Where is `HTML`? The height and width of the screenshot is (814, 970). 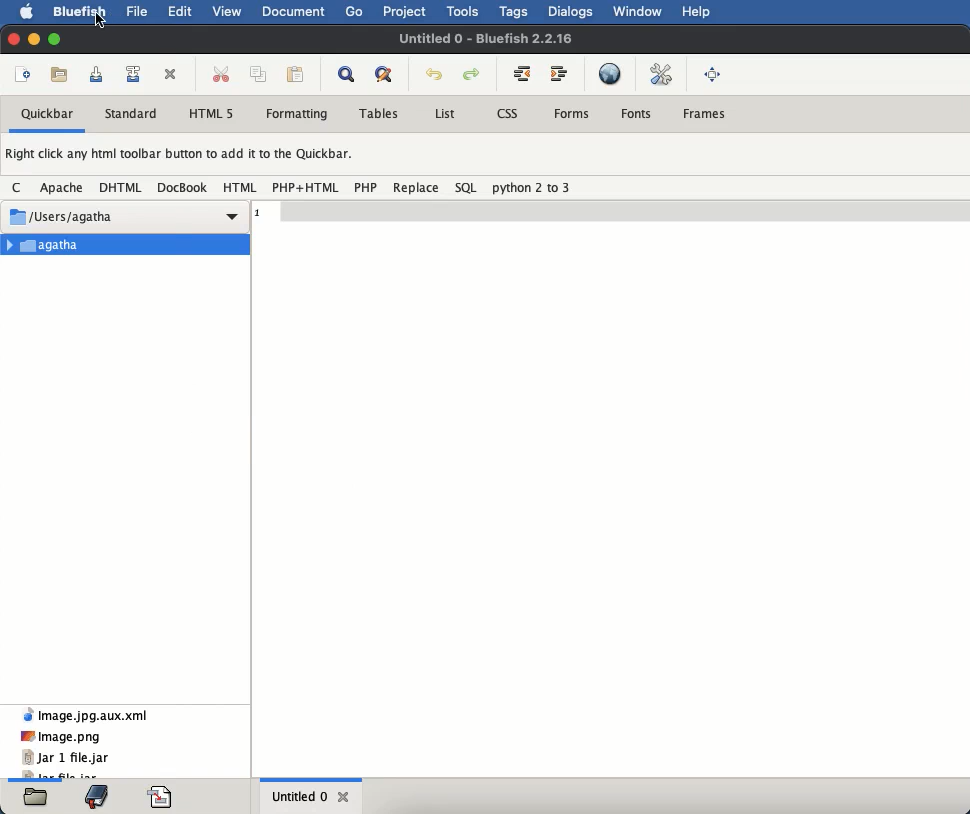 HTML is located at coordinates (242, 187).